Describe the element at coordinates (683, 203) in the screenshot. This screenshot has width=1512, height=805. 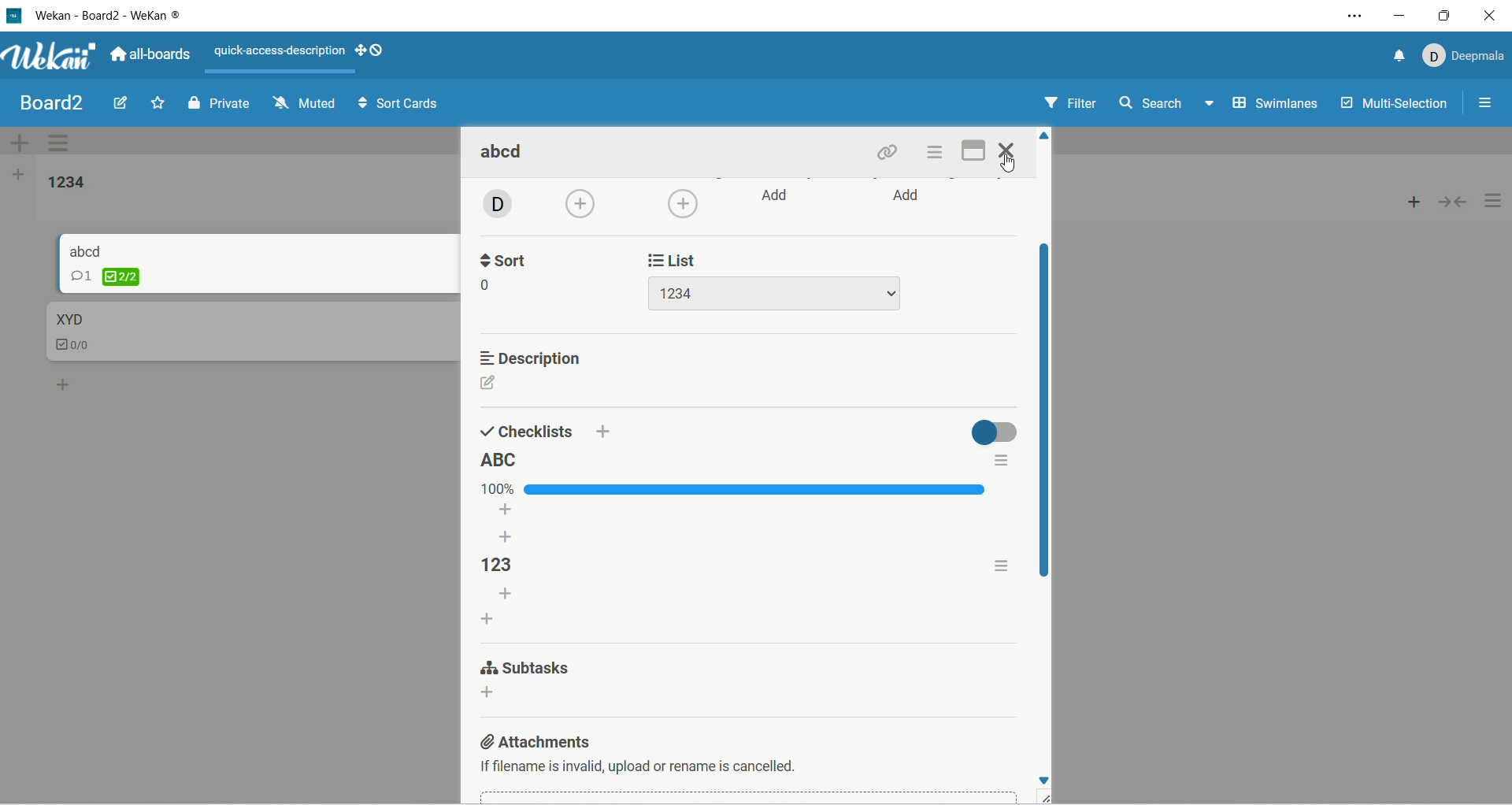
I see `add` at that location.